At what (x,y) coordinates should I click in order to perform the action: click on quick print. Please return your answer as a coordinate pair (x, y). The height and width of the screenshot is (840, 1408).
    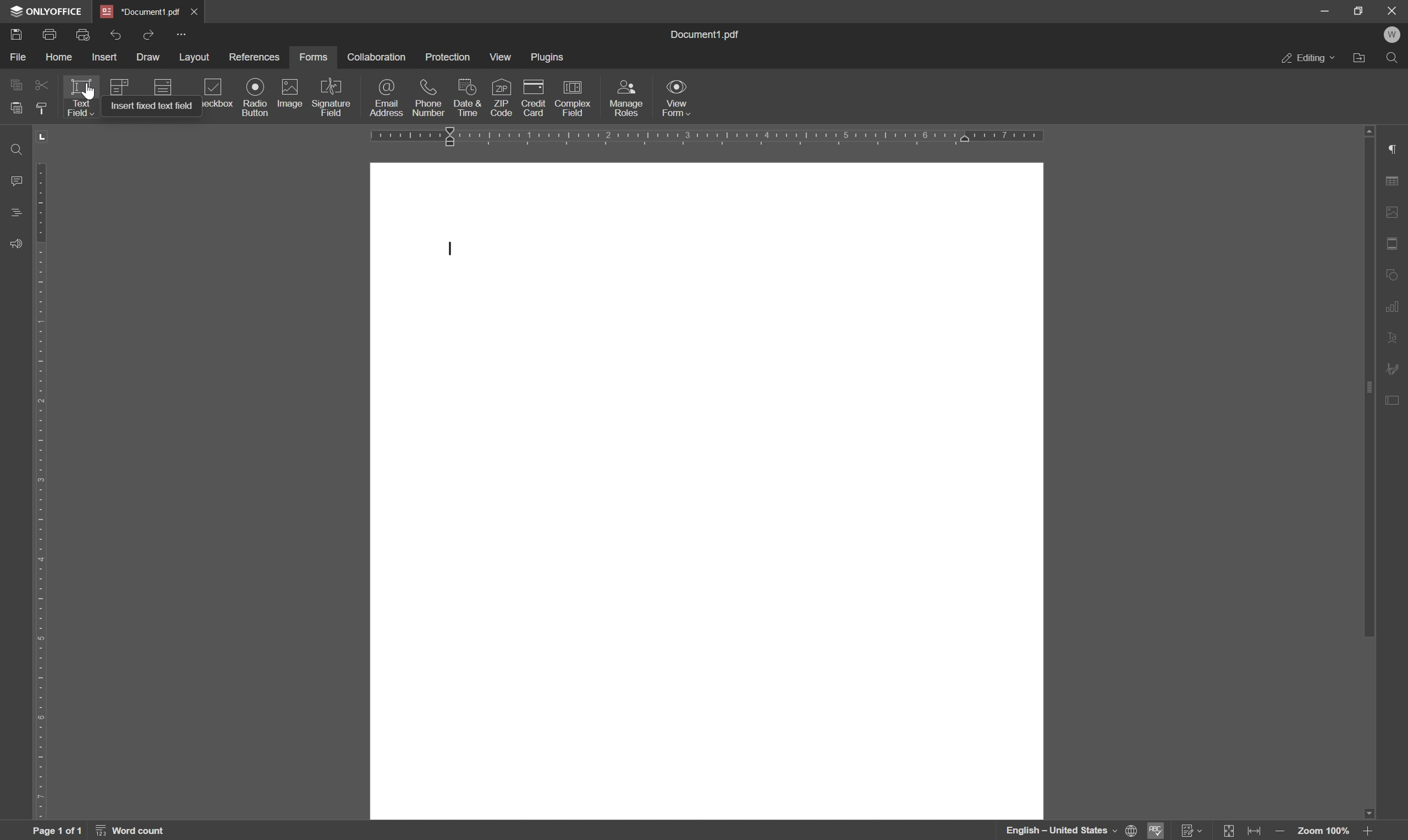
    Looking at the image, I should click on (88, 35).